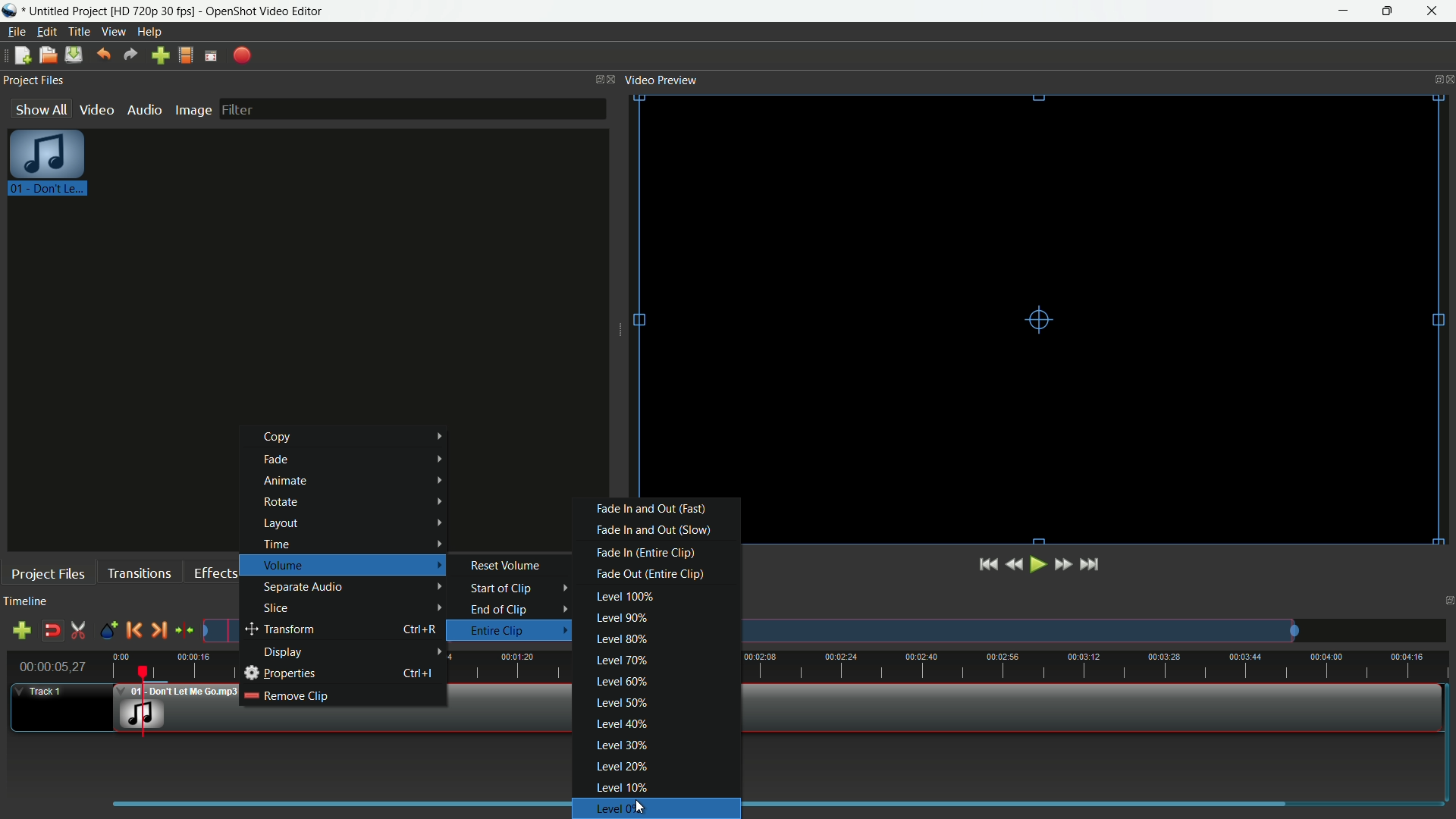 This screenshot has height=819, width=1456. Describe the element at coordinates (80, 31) in the screenshot. I see `title menu` at that location.